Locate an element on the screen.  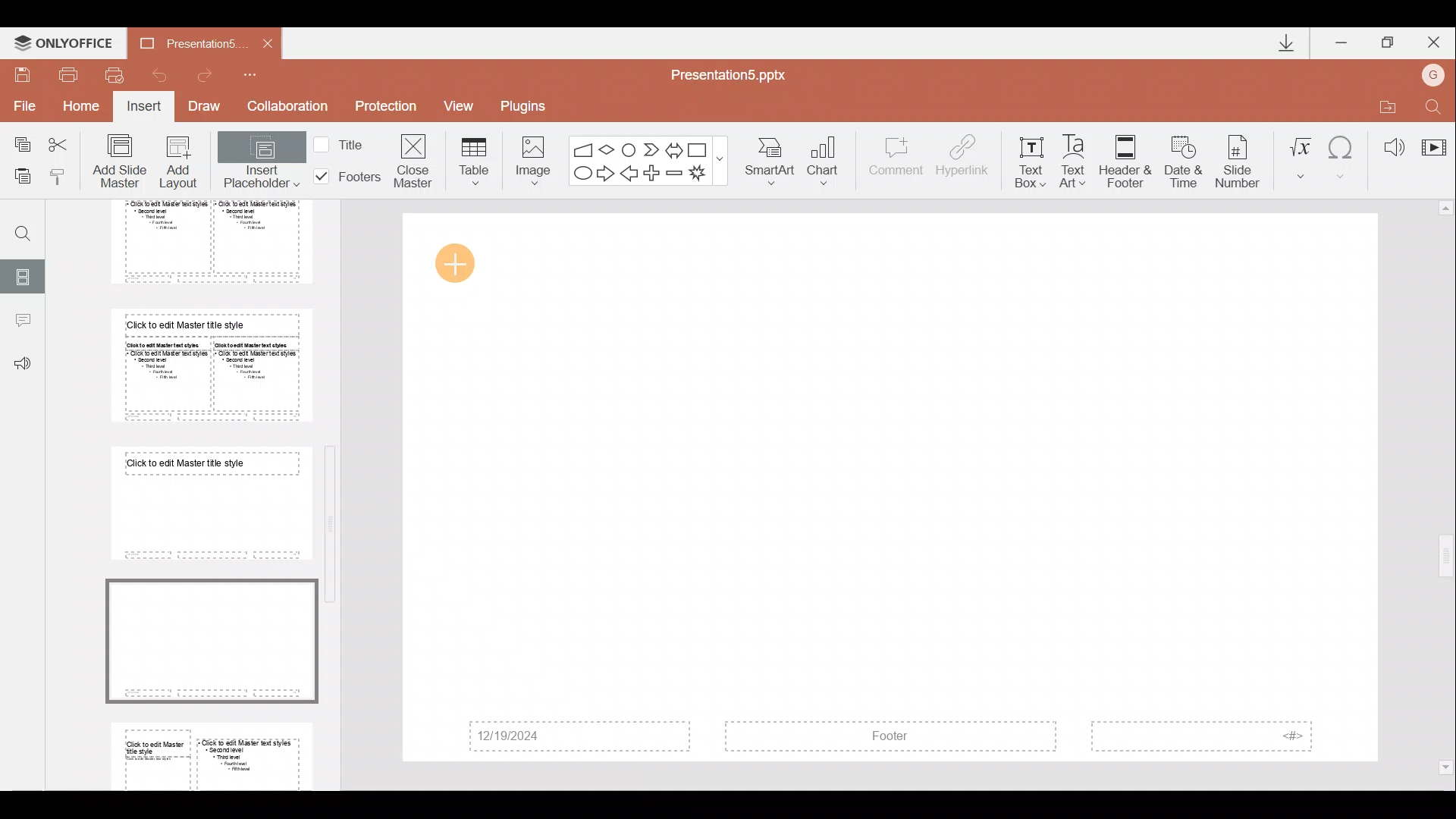
View is located at coordinates (464, 105).